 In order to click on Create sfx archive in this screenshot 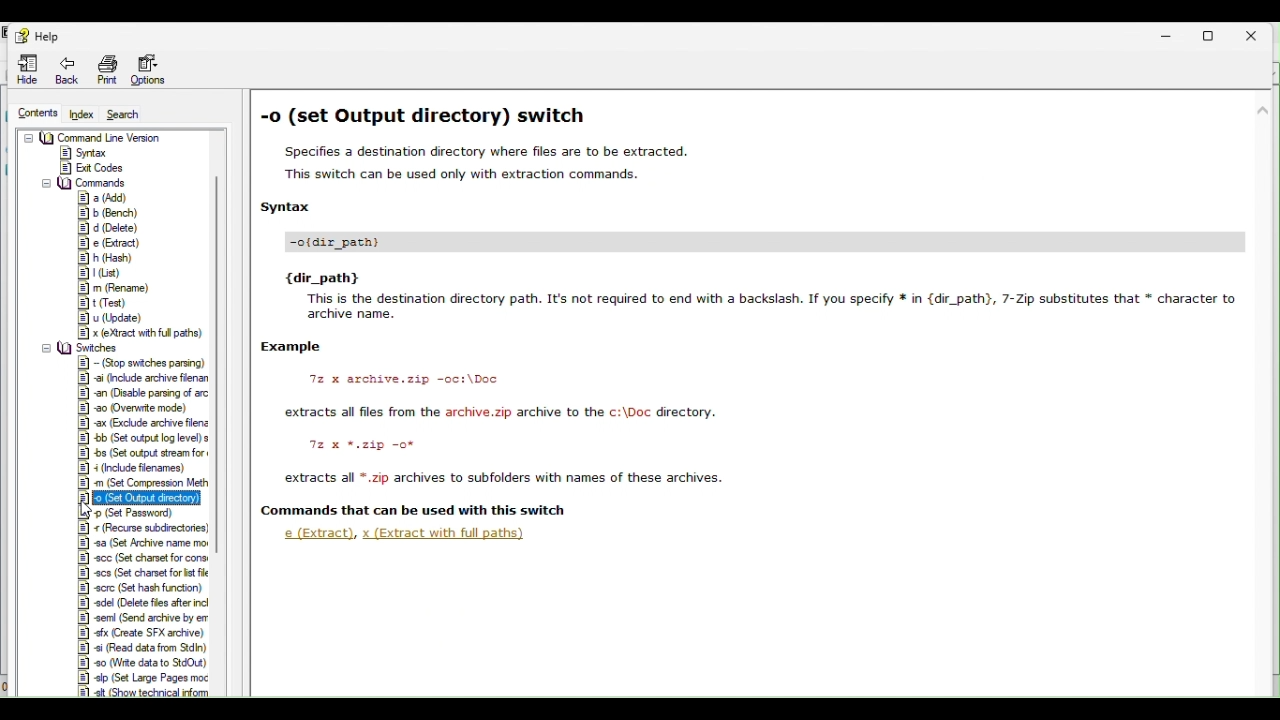, I will do `click(142, 631)`.